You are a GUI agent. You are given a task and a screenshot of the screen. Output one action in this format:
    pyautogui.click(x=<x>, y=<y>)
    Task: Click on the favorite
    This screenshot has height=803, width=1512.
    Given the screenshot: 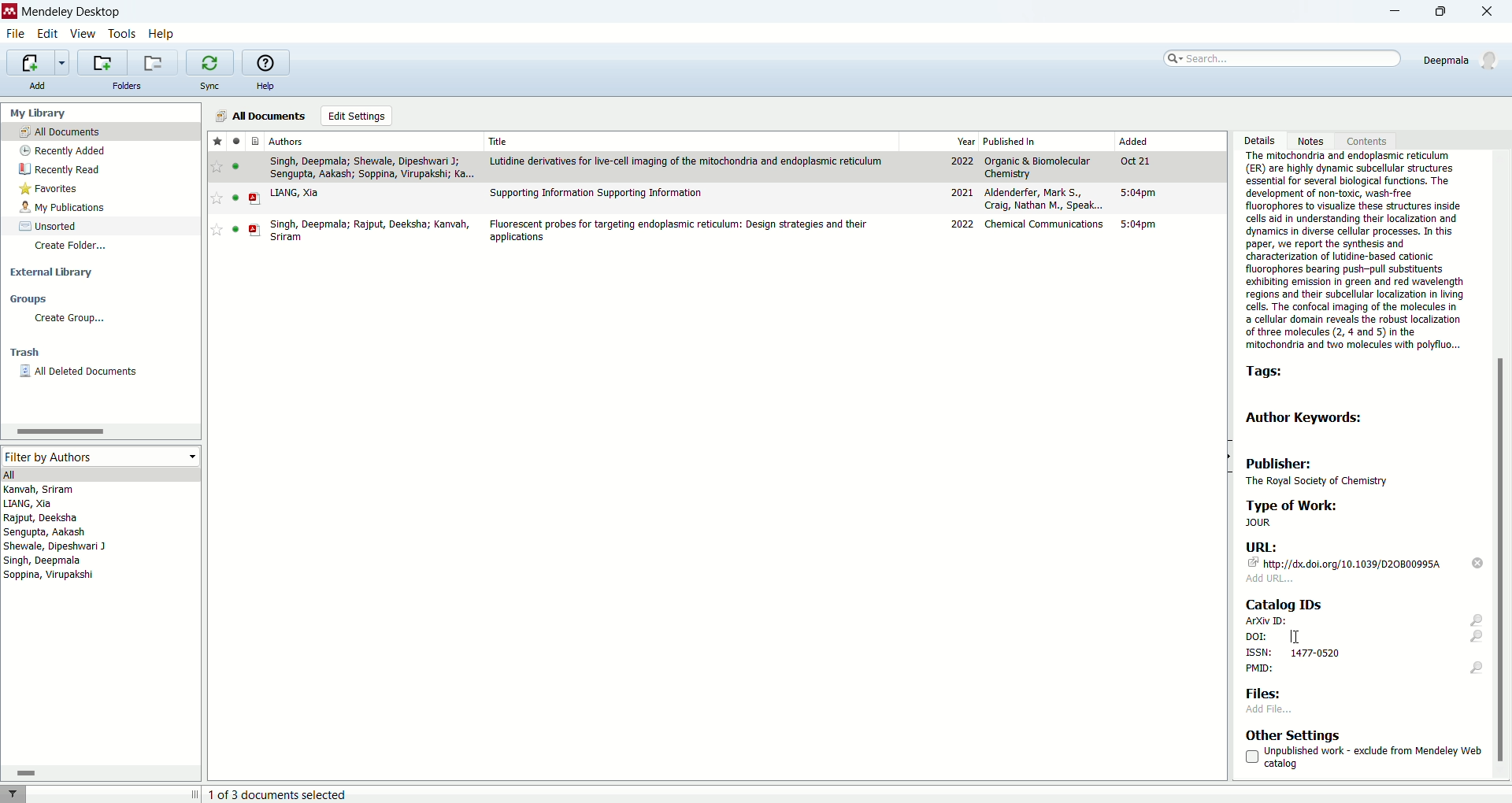 What is the action you would take?
    pyautogui.click(x=217, y=229)
    